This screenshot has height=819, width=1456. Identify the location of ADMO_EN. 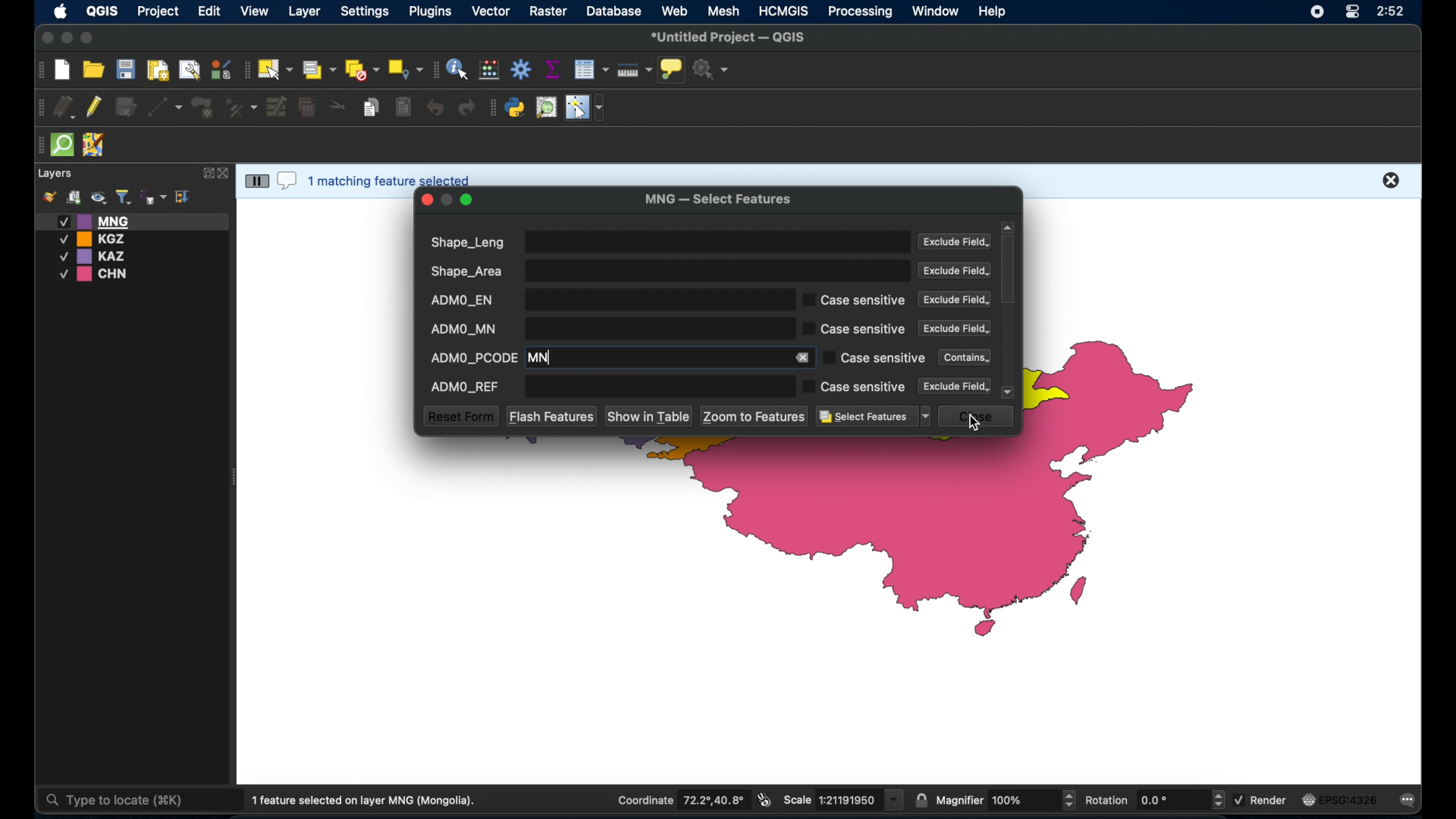
(606, 300).